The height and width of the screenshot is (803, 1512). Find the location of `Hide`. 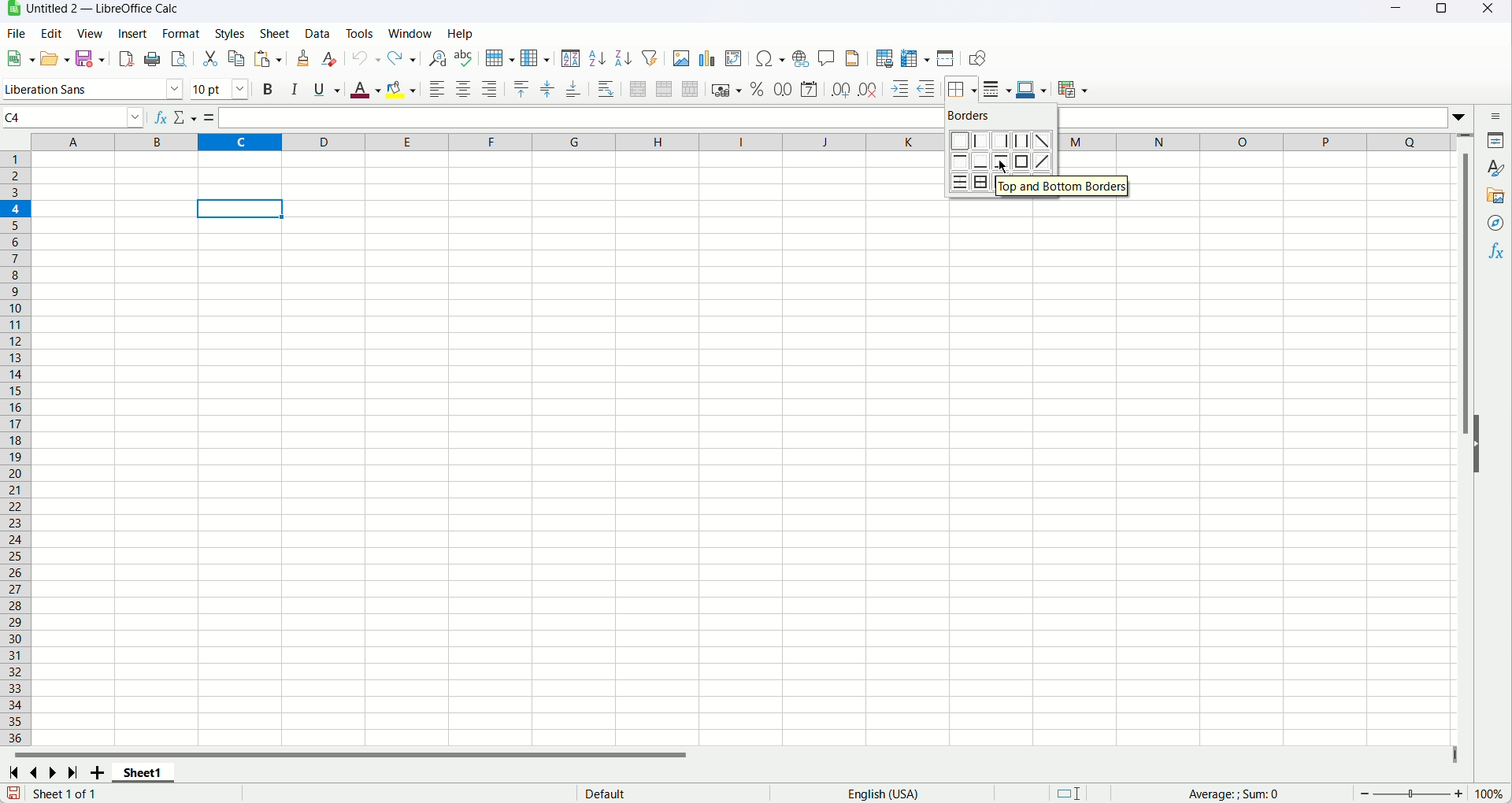

Hide is located at coordinates (1483, 453).